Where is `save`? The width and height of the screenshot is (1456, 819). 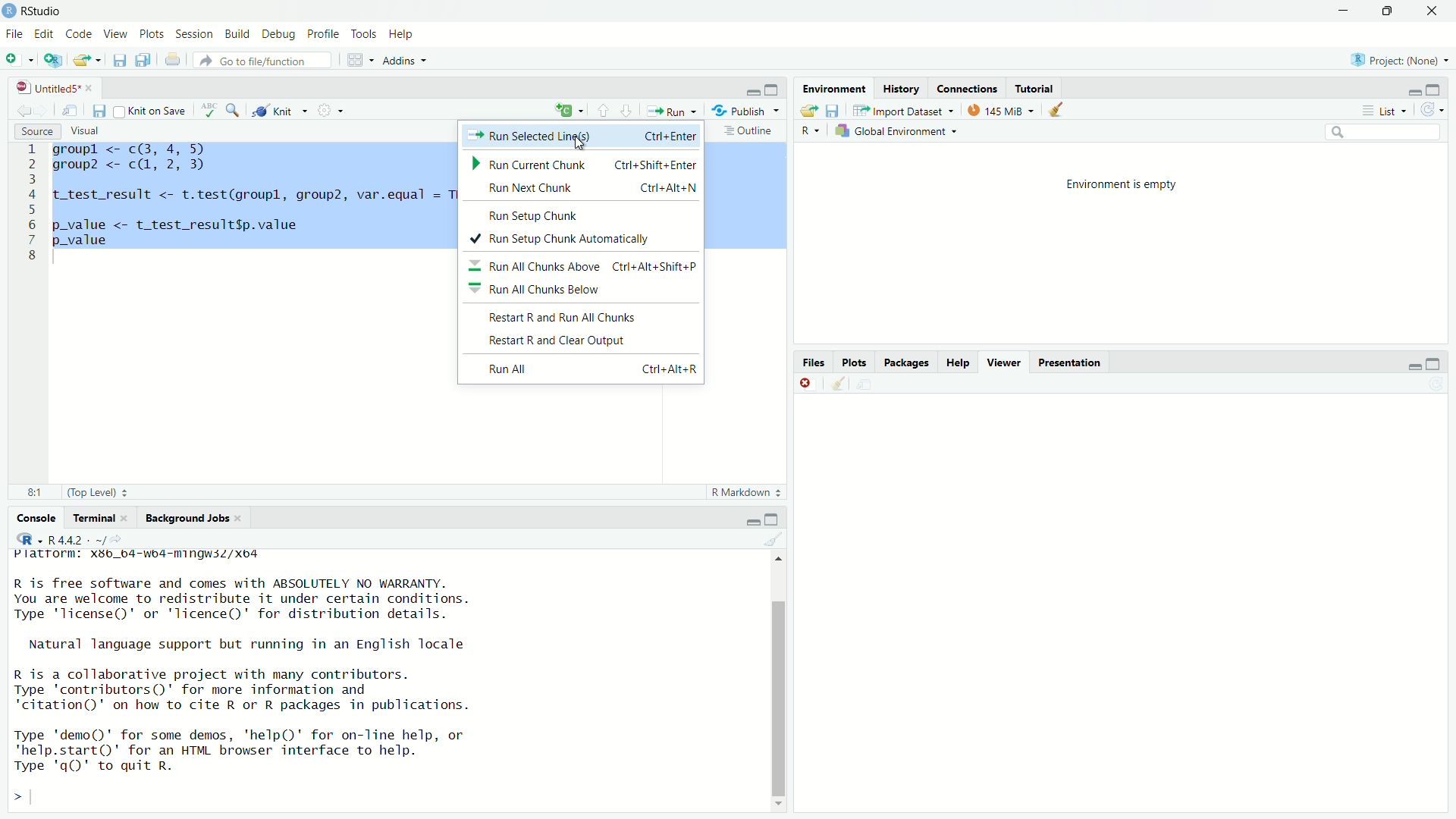
save is located at coordinates (101, 111).